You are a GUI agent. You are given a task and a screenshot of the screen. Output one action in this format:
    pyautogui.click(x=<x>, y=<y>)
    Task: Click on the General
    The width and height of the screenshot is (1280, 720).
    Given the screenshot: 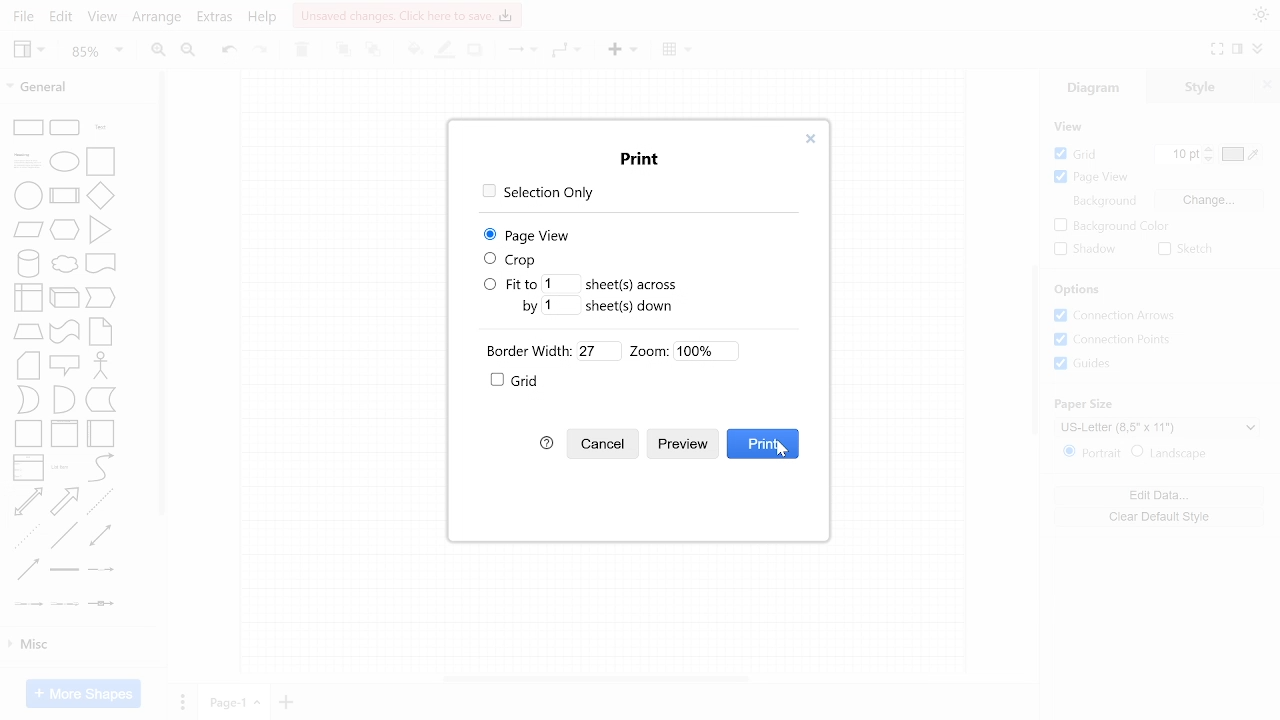 What is the action you would take?
    pyautogui.click(x=70, y=86)
    